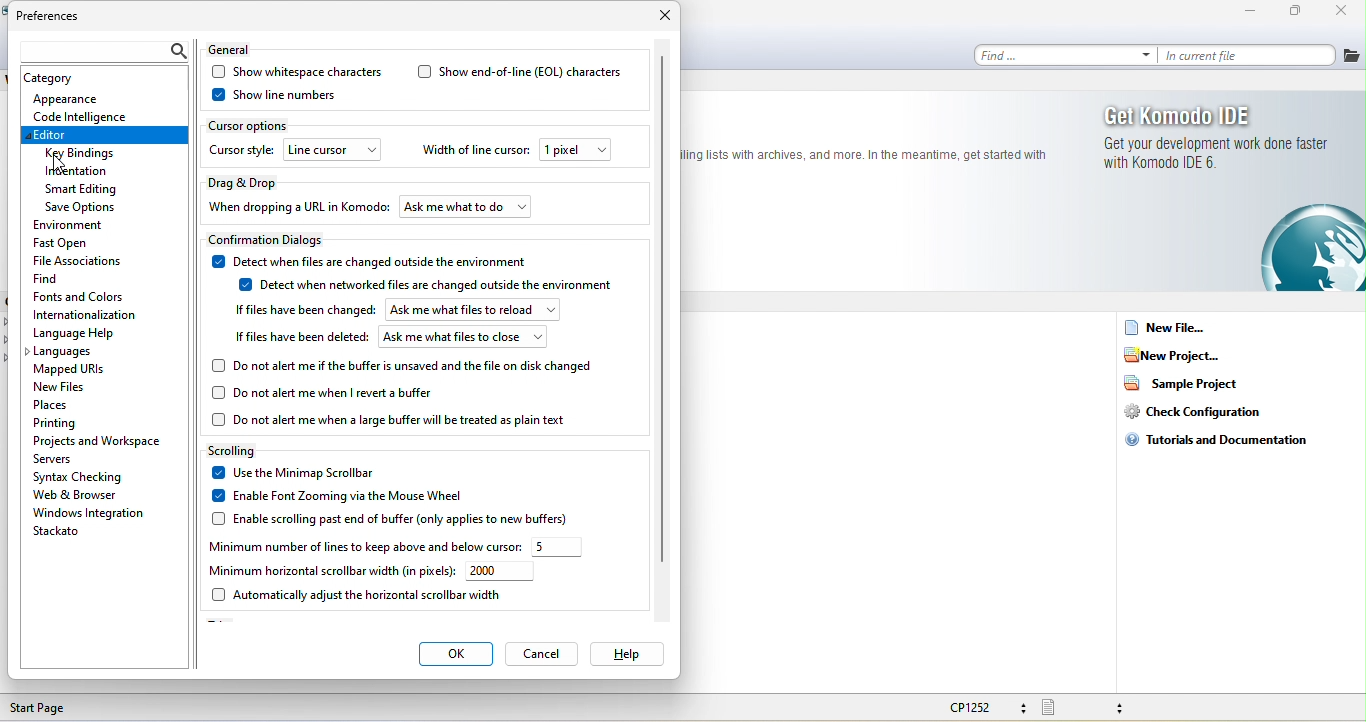 The width and height of the screenshot is (1366, 722). I want to click on use the minimap scrollbar, so click(298, 473).